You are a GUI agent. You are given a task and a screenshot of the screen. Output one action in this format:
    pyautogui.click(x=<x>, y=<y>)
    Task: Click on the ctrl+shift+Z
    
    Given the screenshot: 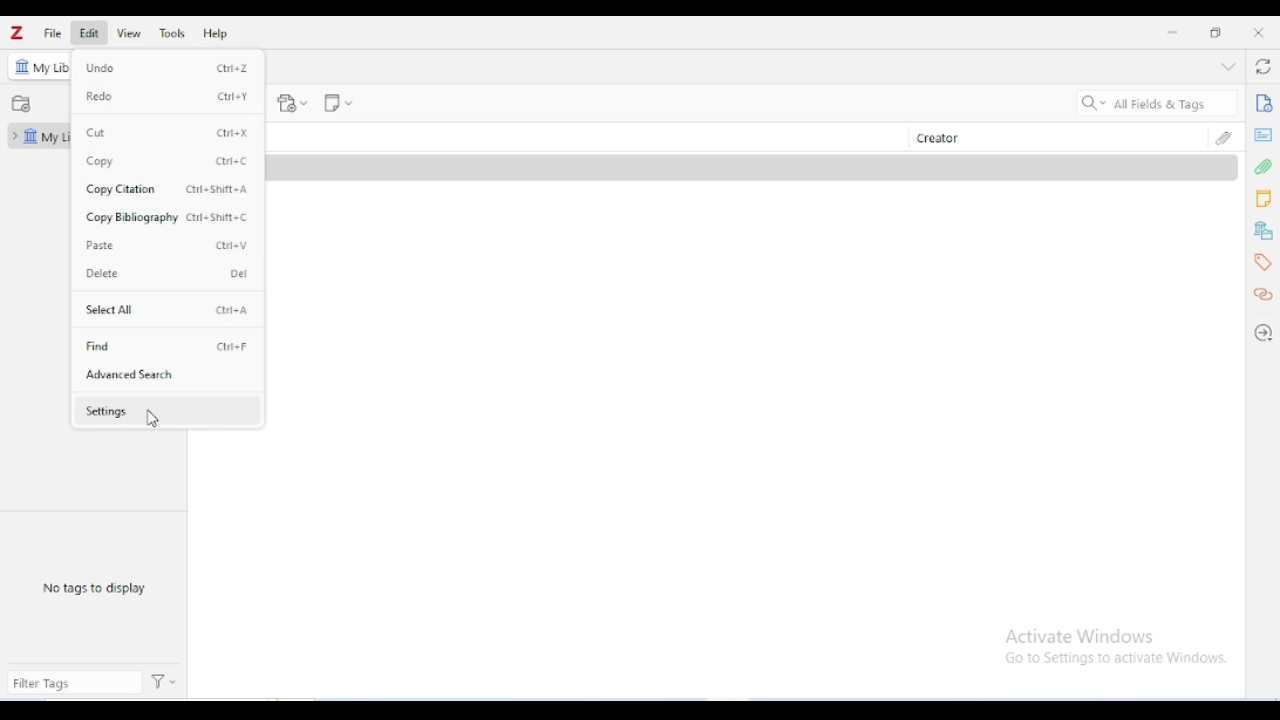 What is the action you would take?
    pyautogui.click(x=218, y=189)
    